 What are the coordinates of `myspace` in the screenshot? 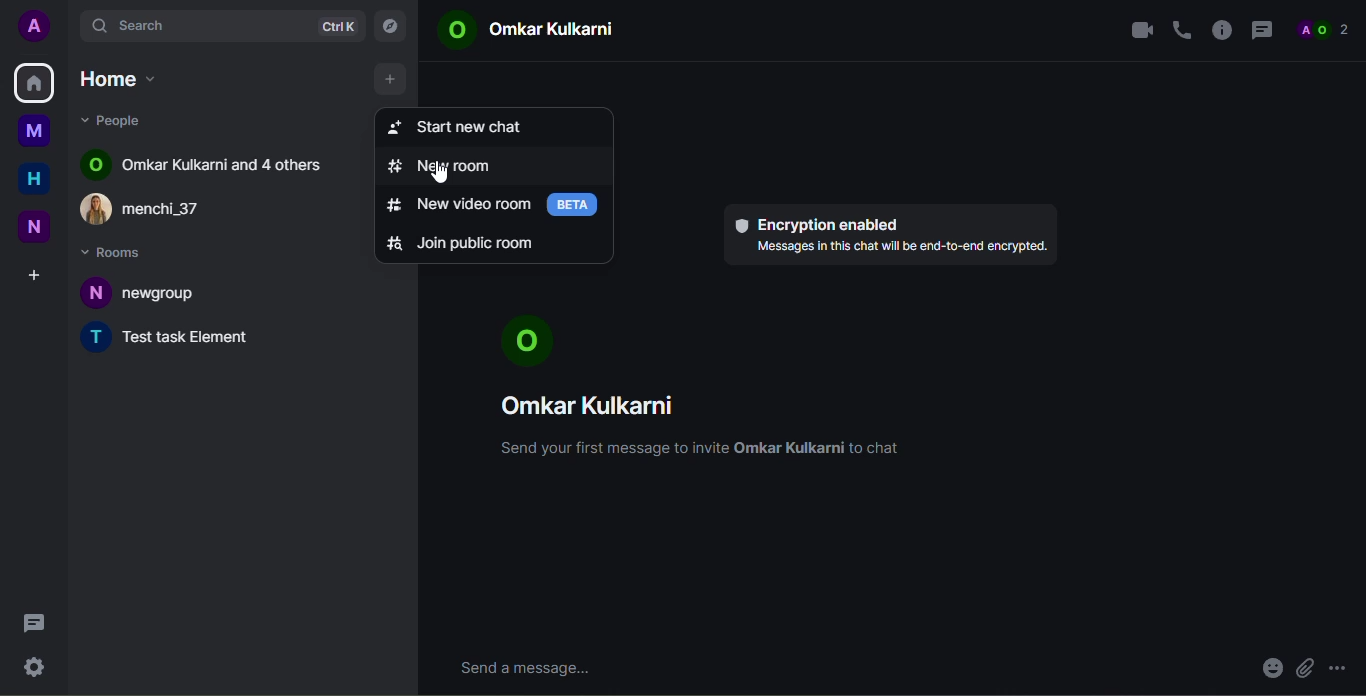 It's located at (34, 130).